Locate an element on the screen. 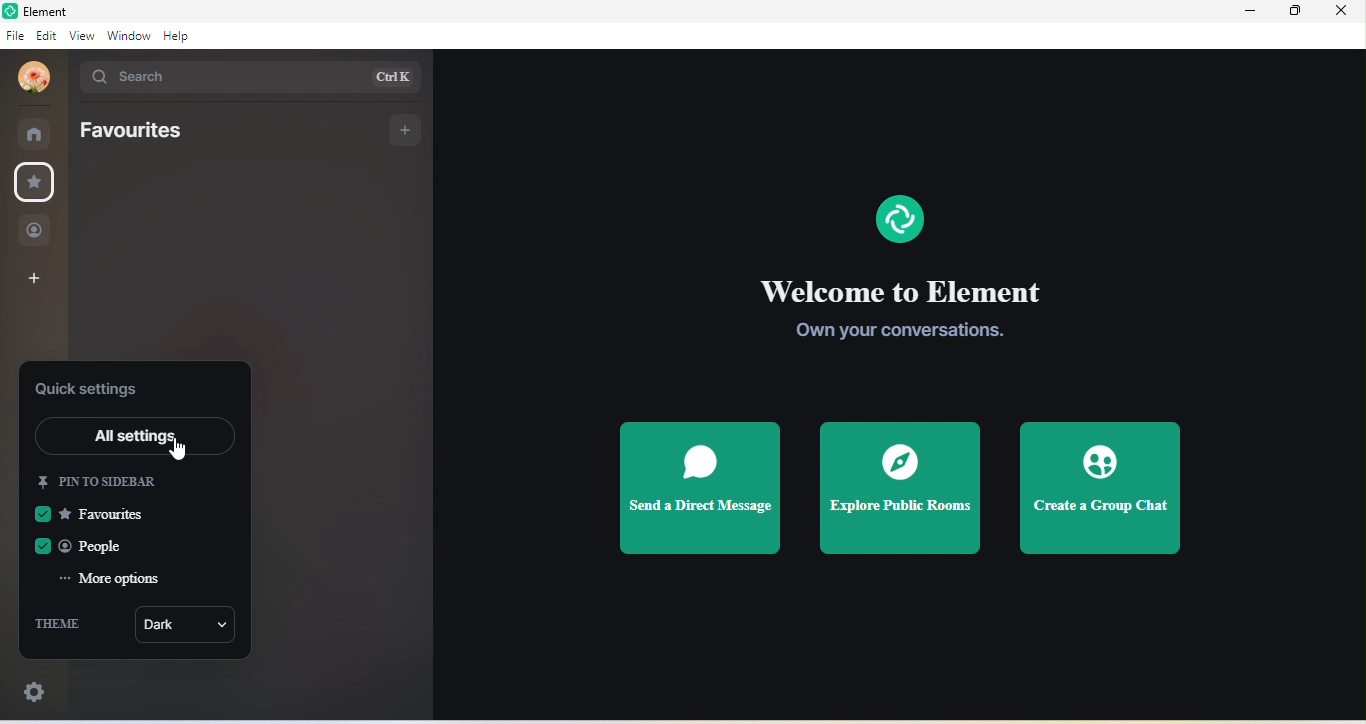 The width and height of the screenshot is (1366, 724). rooms is located at coordinates (36, 132).